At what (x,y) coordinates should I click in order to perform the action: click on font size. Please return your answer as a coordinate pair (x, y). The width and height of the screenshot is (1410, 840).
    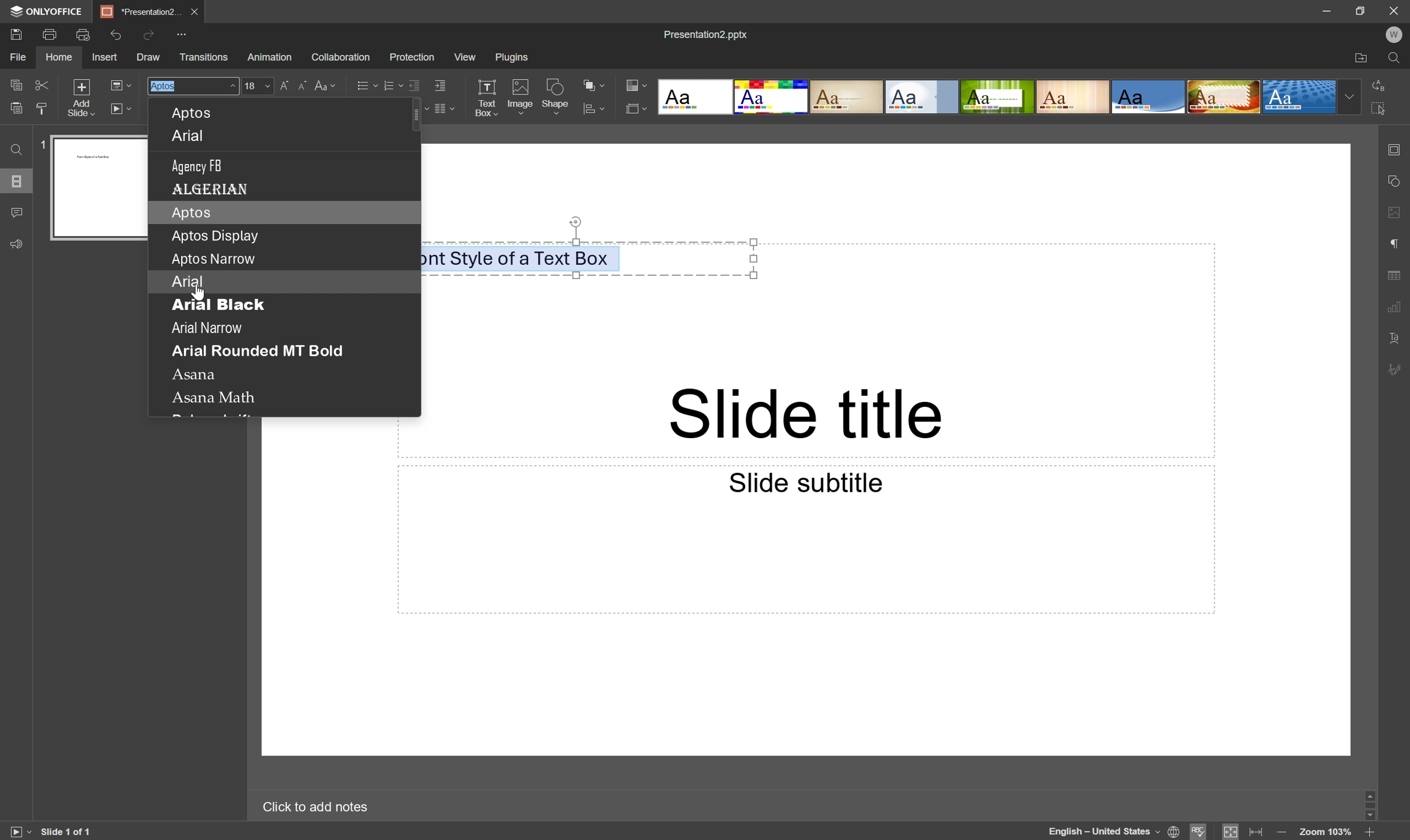
    Looking at the image, I should click on (258, 85).